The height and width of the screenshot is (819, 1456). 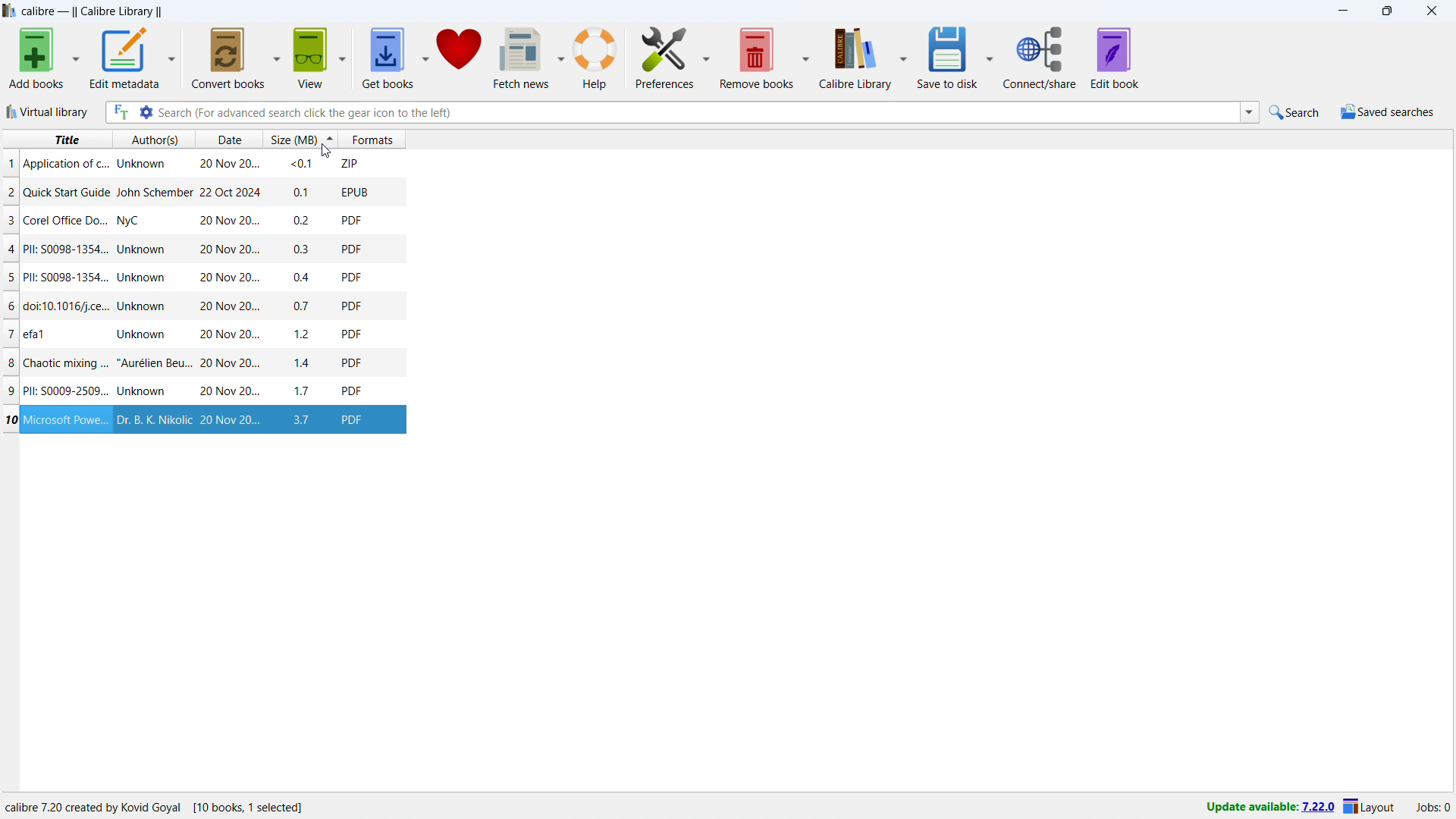 What do you see at coordinates (227, 193) in the screenshot?
I see `date` at bounding box center [227, 193].